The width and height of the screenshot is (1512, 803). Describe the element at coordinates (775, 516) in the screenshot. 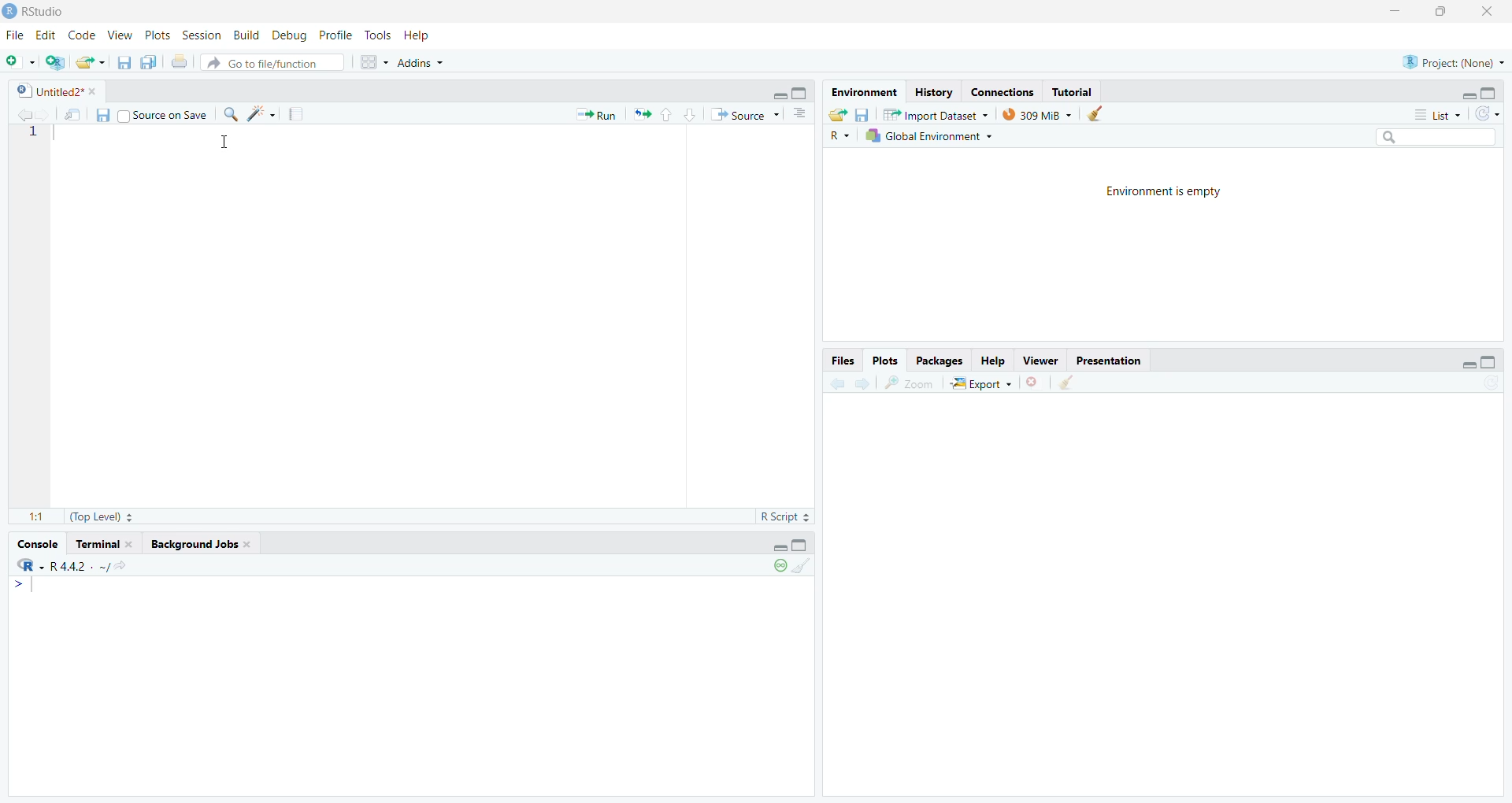

I see `R Script ` at that location.